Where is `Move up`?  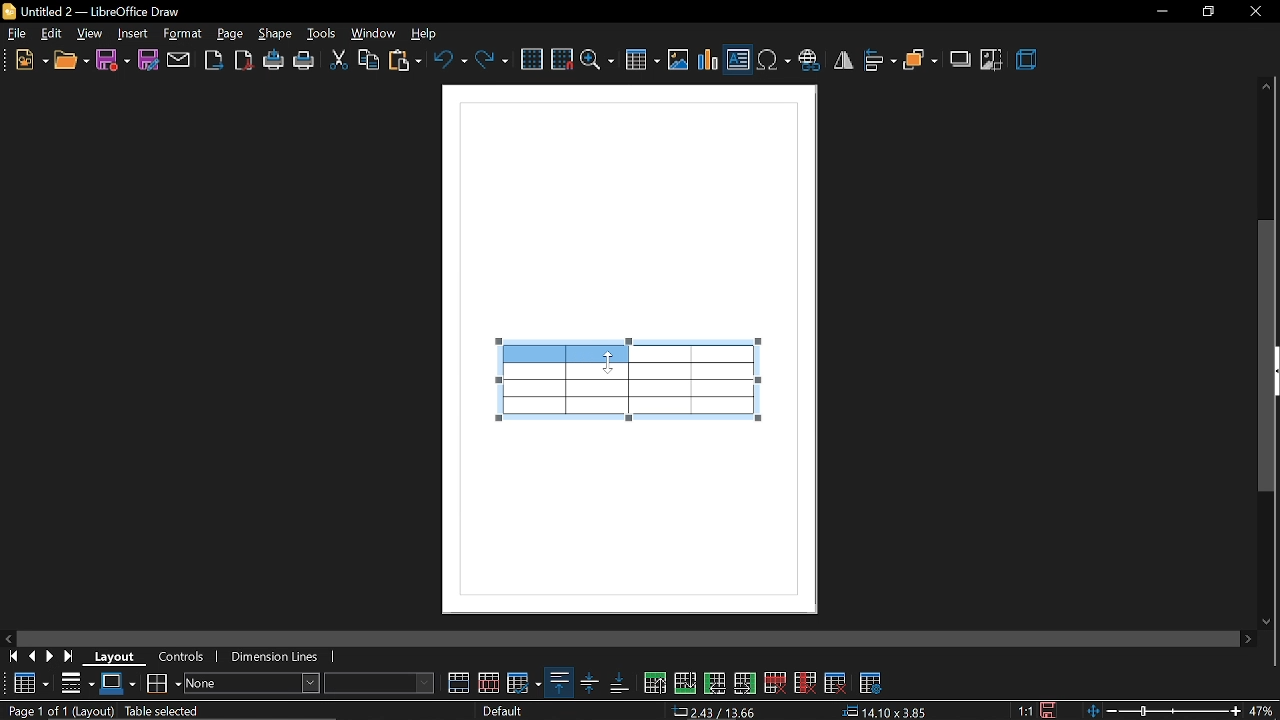
Move up is located at coordinates (1266, 84).